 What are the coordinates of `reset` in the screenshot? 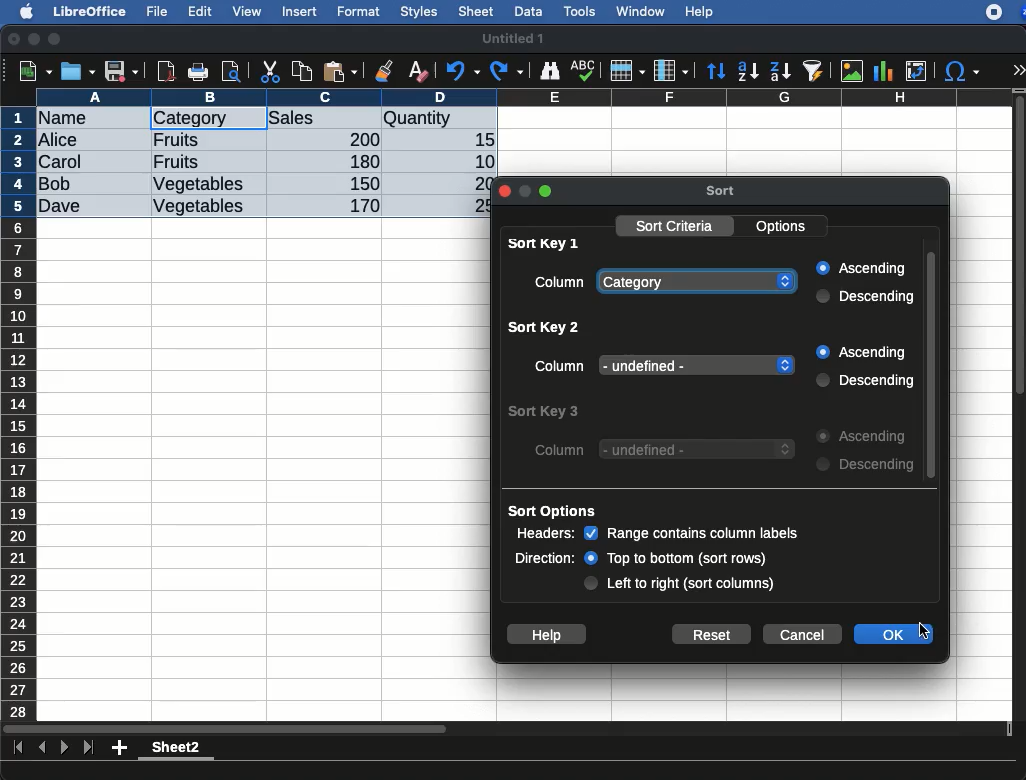 It's located at (713, 633).